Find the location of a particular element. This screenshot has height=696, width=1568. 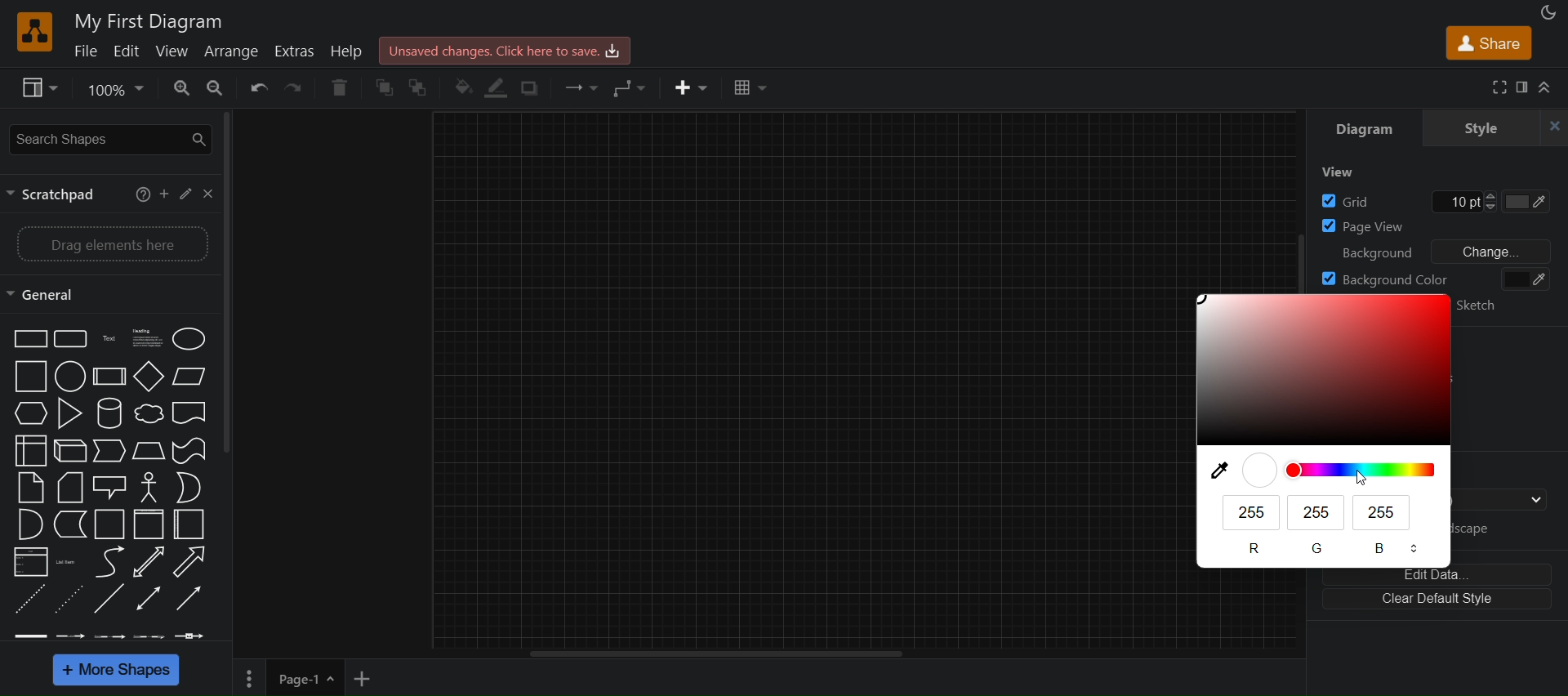

title is located at coordinates (148, 20).